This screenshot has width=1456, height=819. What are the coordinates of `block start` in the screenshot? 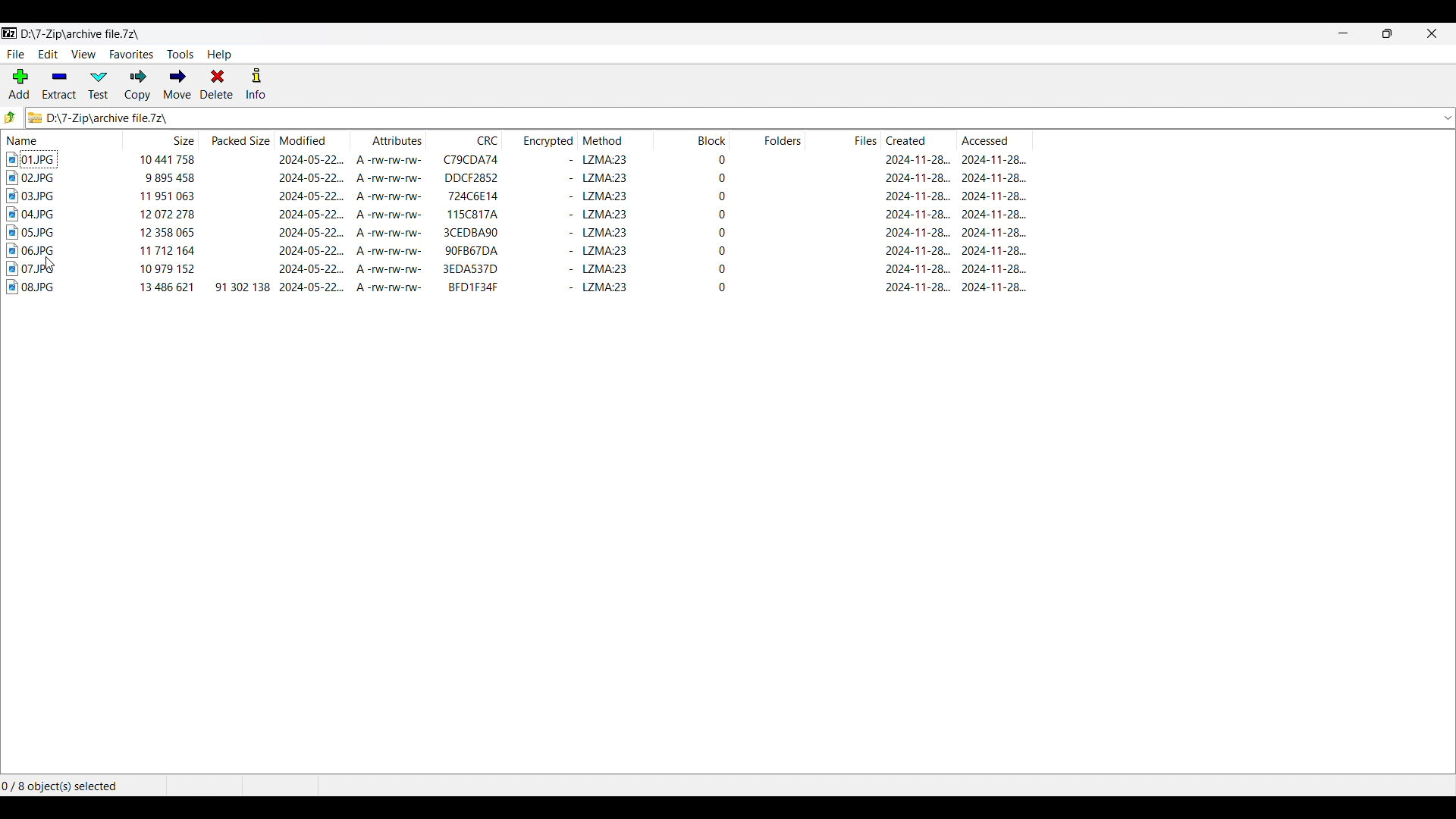 It's located at (715, 160).